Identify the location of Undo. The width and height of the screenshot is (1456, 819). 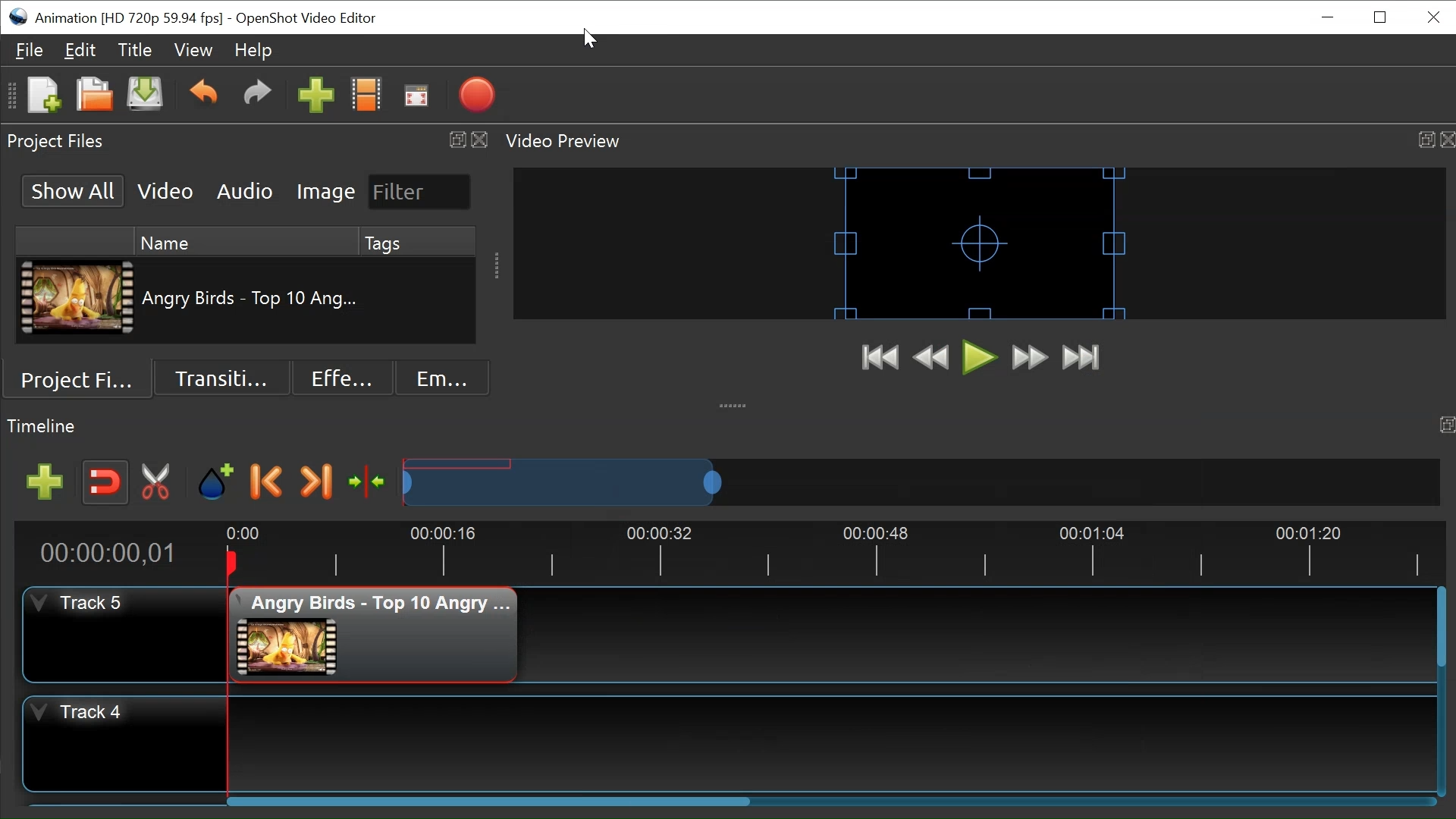
(203, 96).